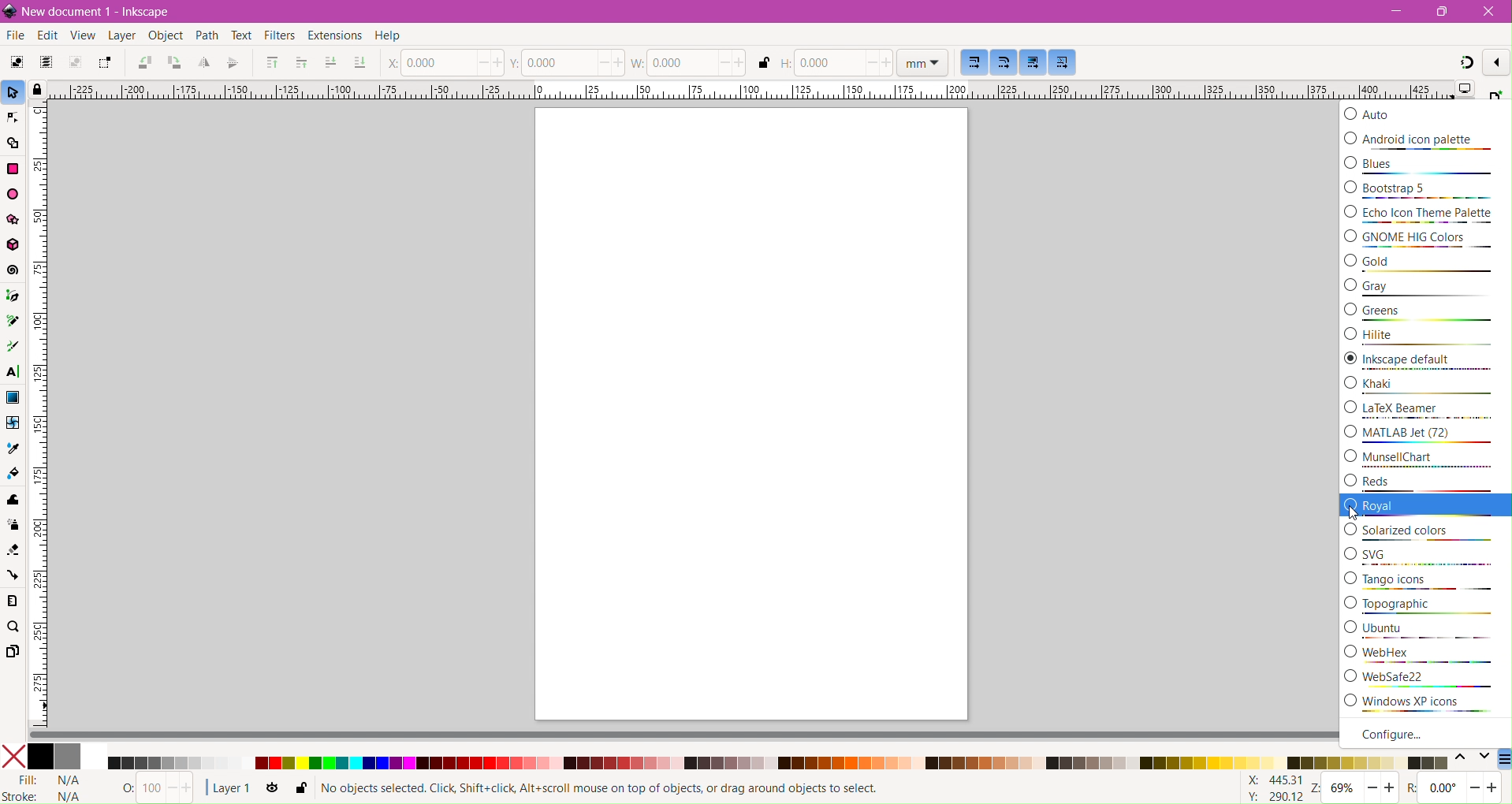  I want to click on Snapping, so click(1466, 65).